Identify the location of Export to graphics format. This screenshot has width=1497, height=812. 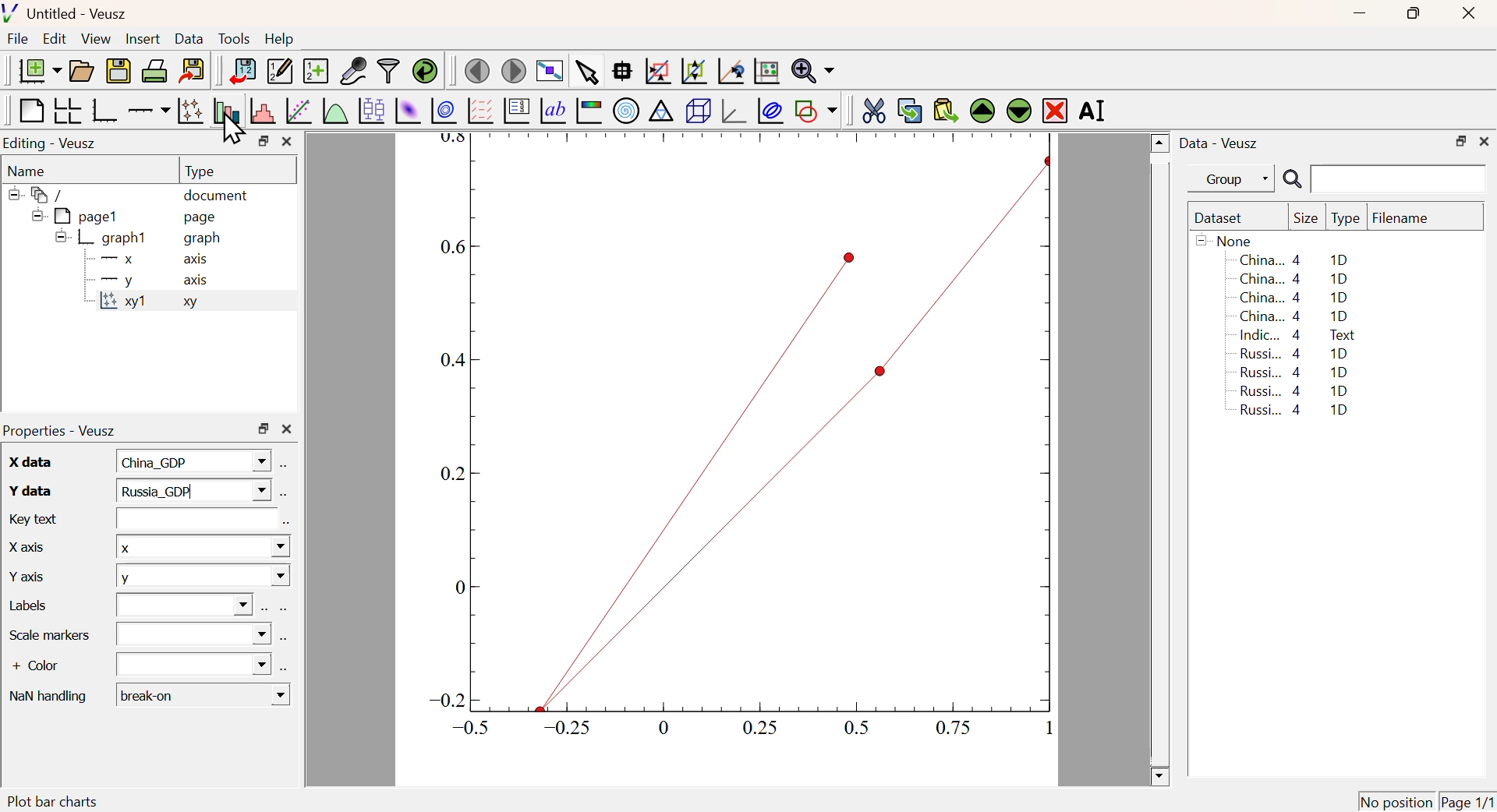
(193, 69).